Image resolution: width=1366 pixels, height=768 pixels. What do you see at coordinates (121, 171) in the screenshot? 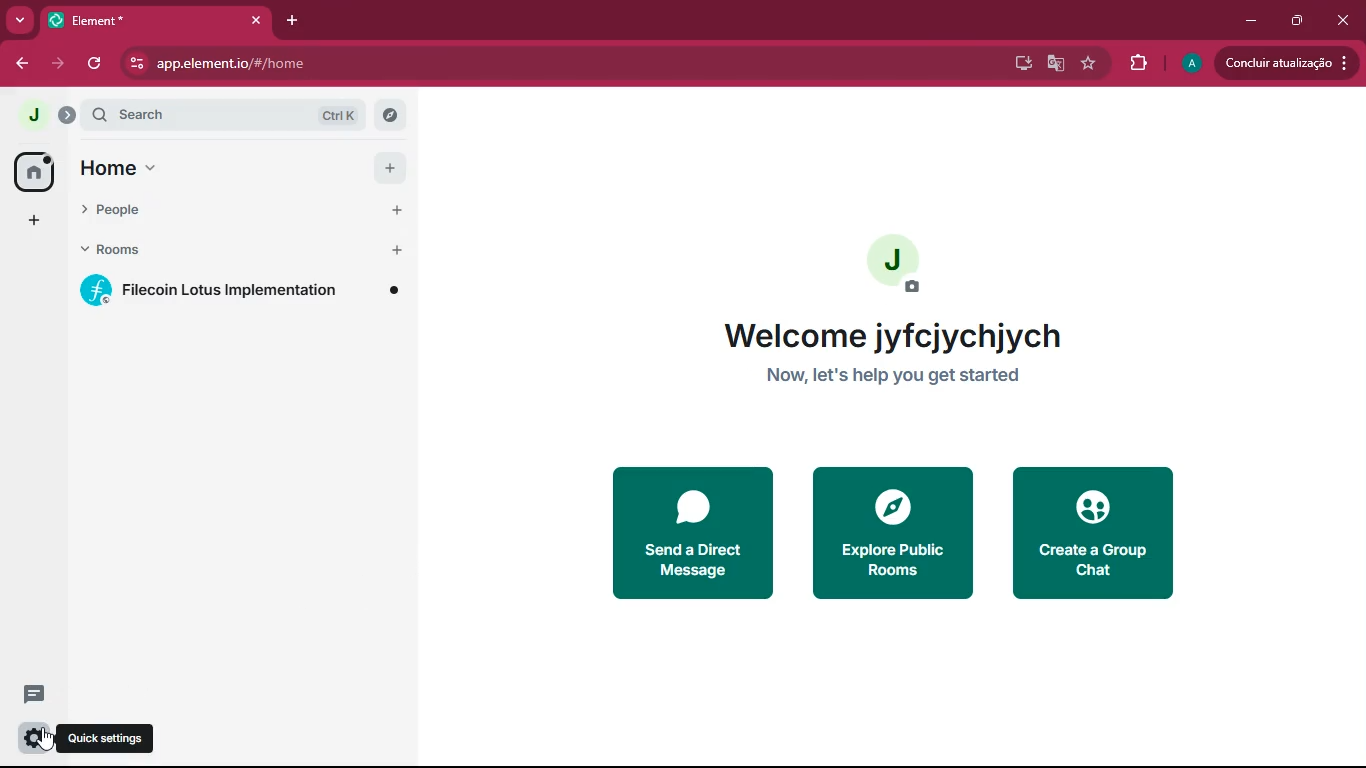
I see `home` at bounding box center [121, 171].